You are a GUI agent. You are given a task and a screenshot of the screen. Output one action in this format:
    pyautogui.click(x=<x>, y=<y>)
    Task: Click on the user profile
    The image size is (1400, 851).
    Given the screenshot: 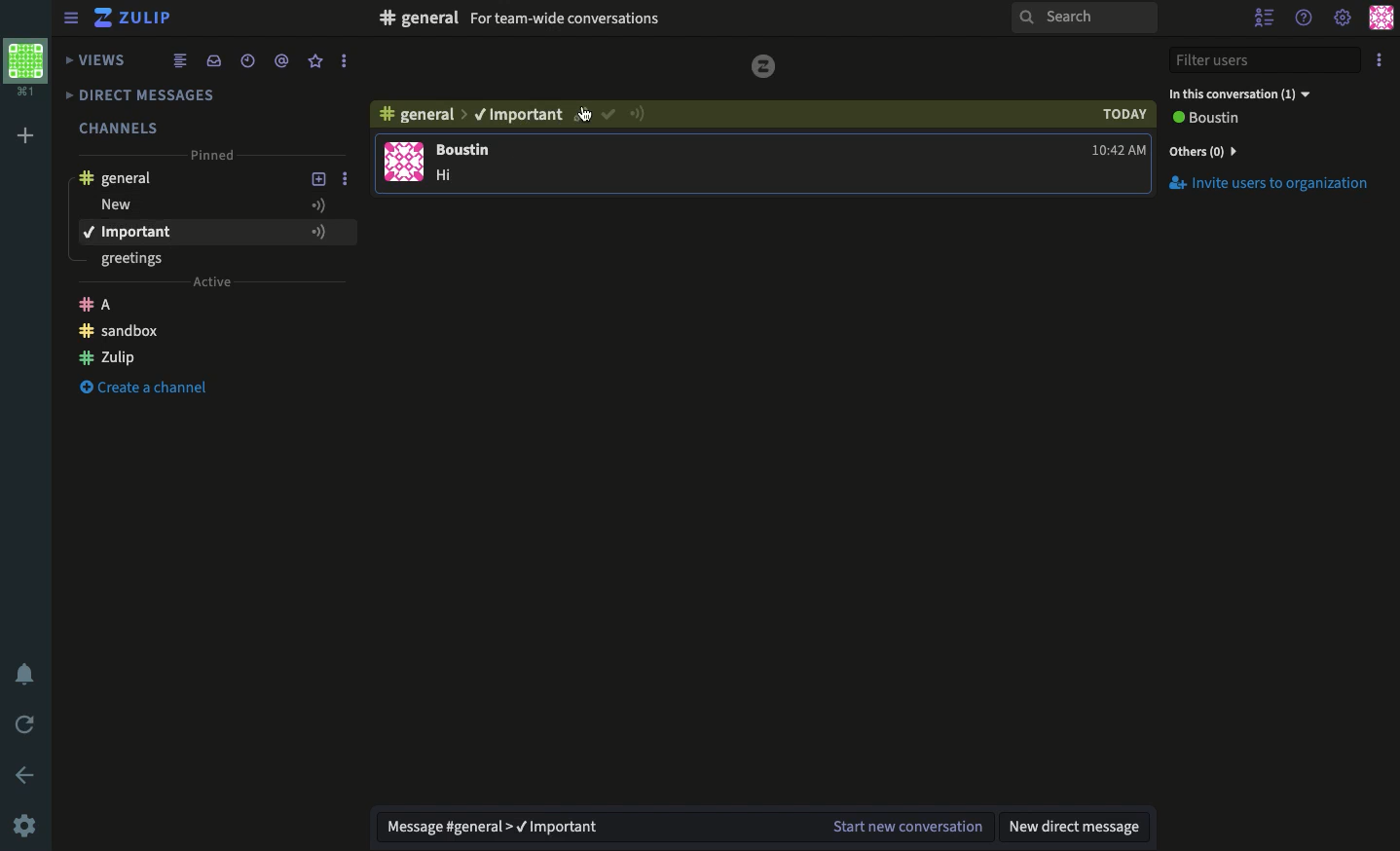 What is the action you would take?
    pyautogui.click(x=402, y=162)
    